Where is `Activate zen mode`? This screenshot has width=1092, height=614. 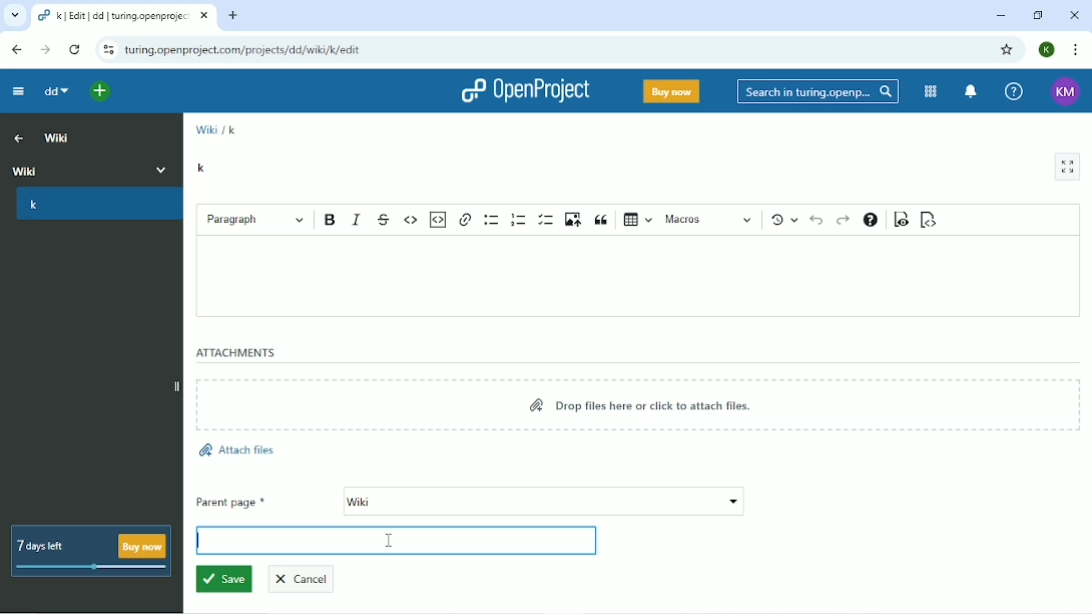 Activate zen mode is located at coordinates (1068, 167).